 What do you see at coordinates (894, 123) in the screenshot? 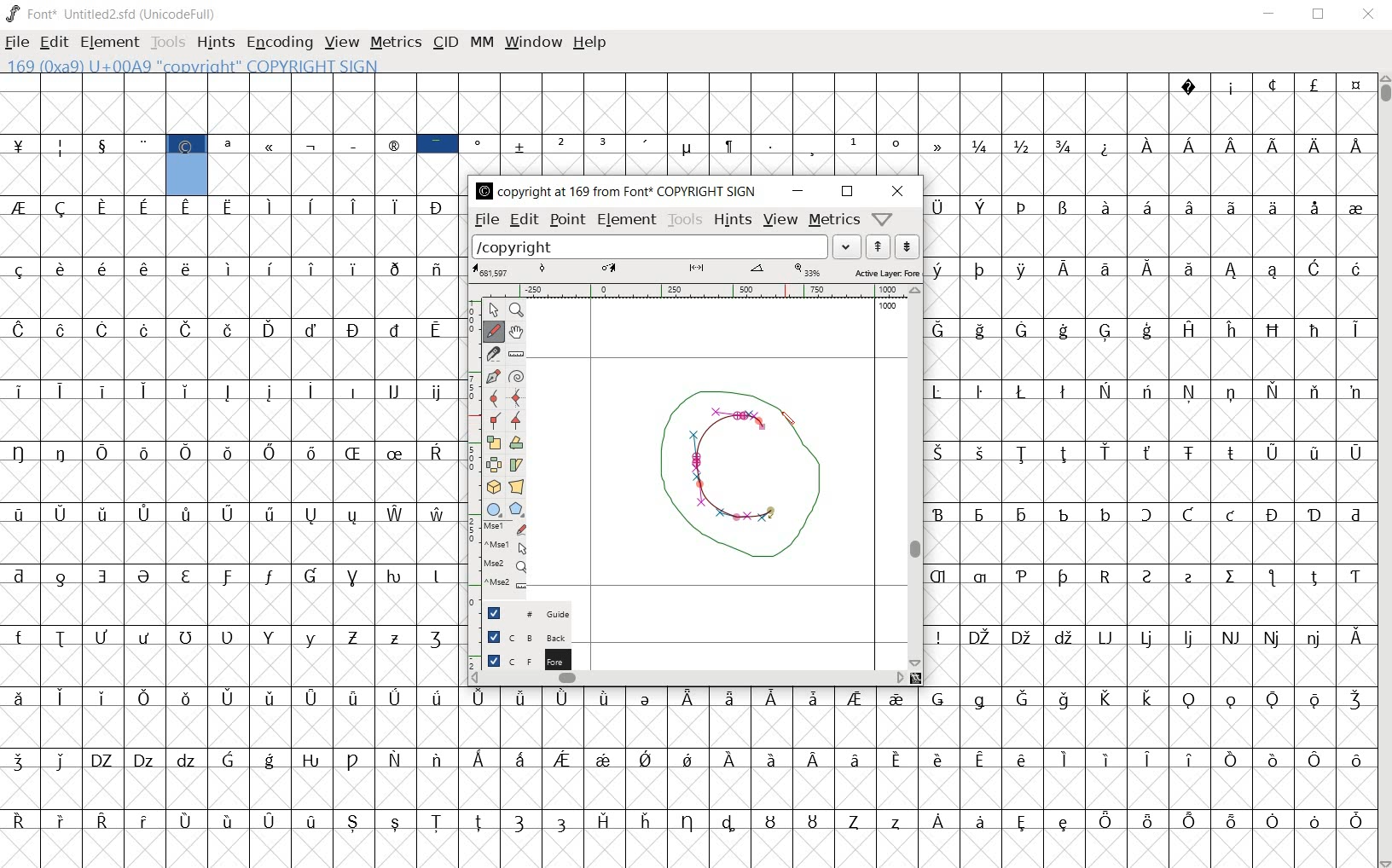
I see `glyph characters` at bounding box center [894, 123].